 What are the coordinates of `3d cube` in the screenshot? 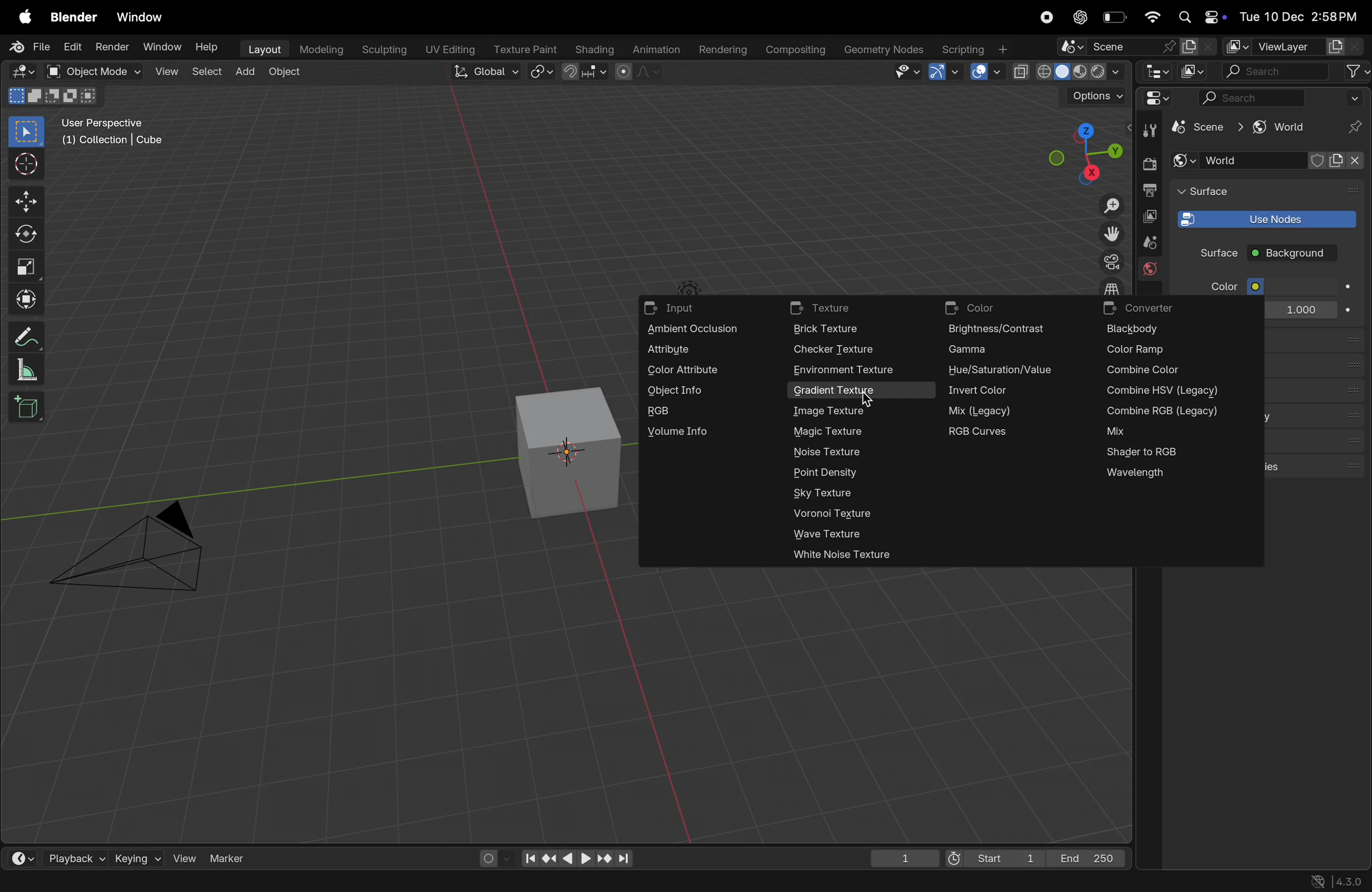 It's located at (566, 452).